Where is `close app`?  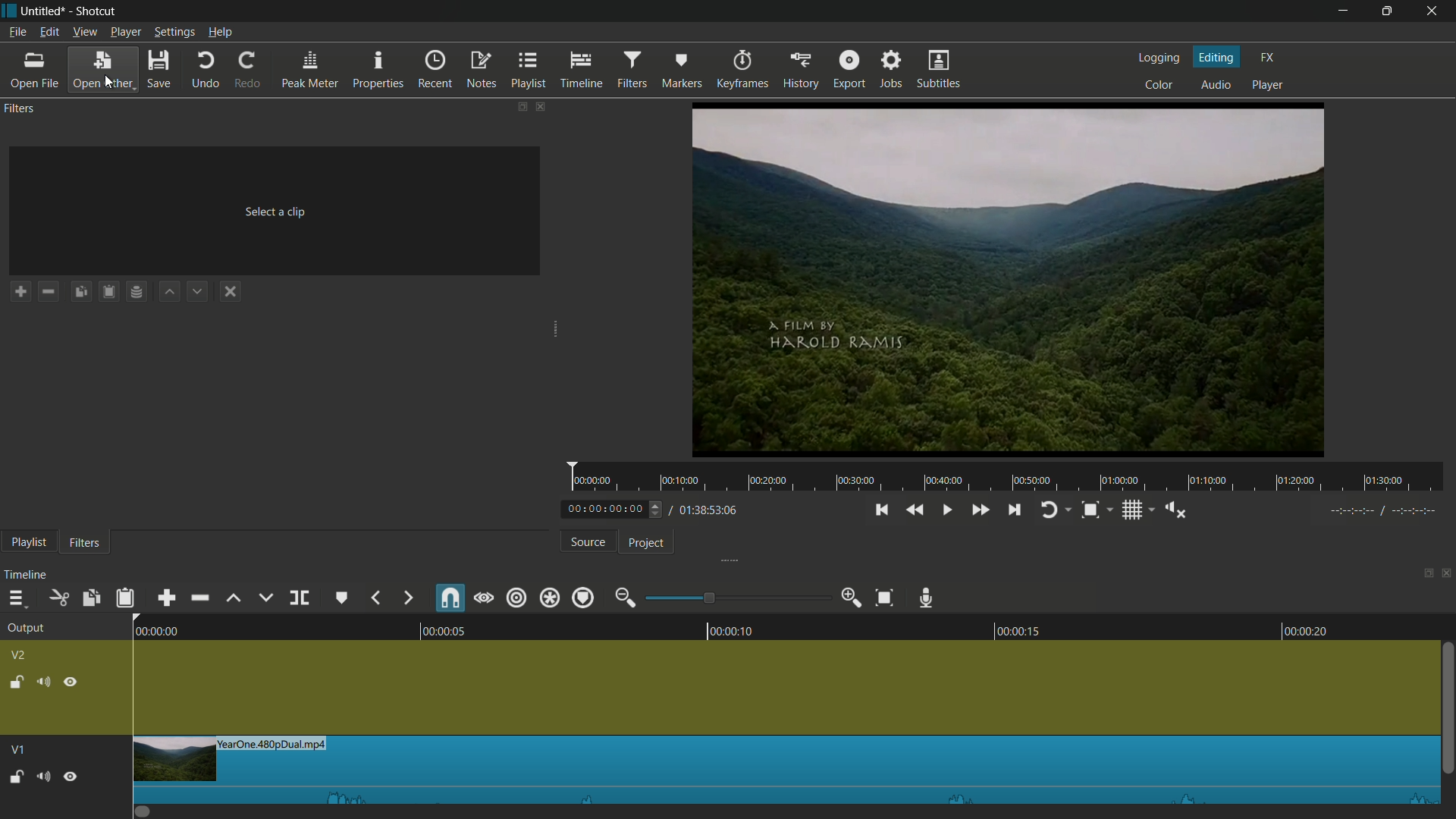 close app is located at coordinates (1434, 11).